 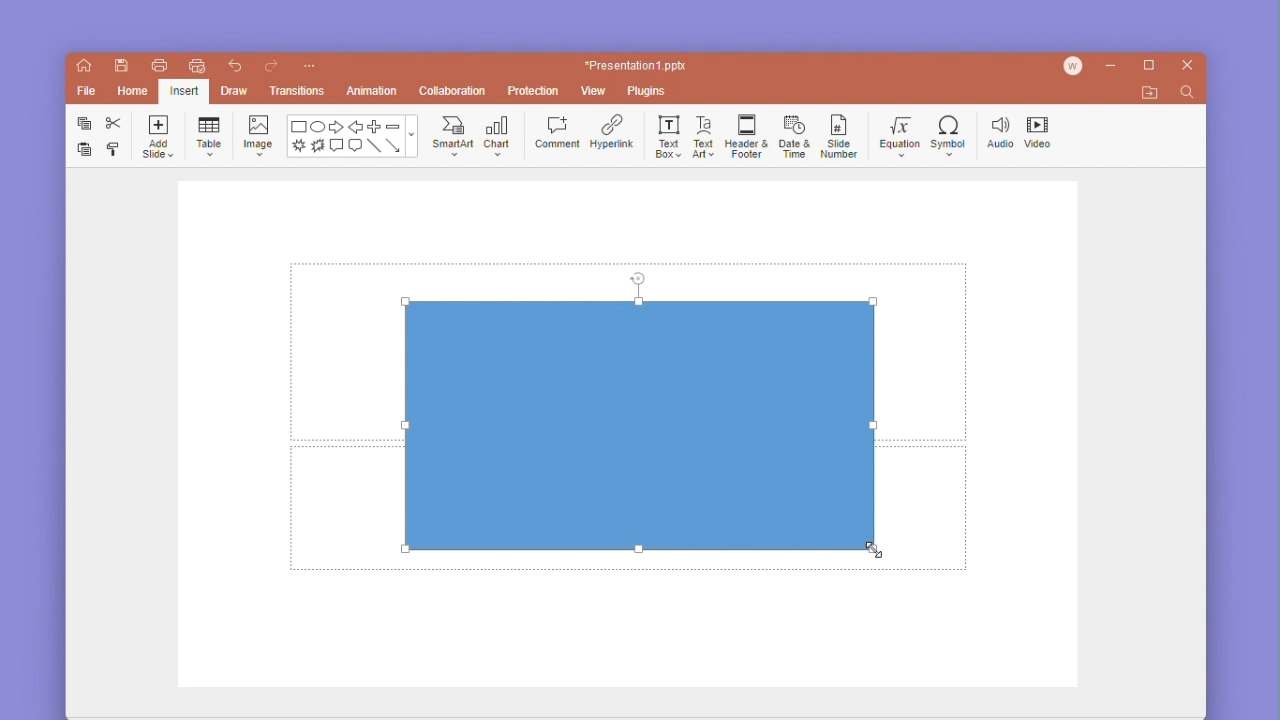 What do you see at coordinates (949, 130) in the screenshot?
I see `symbol` at bounding box center [949, 130].